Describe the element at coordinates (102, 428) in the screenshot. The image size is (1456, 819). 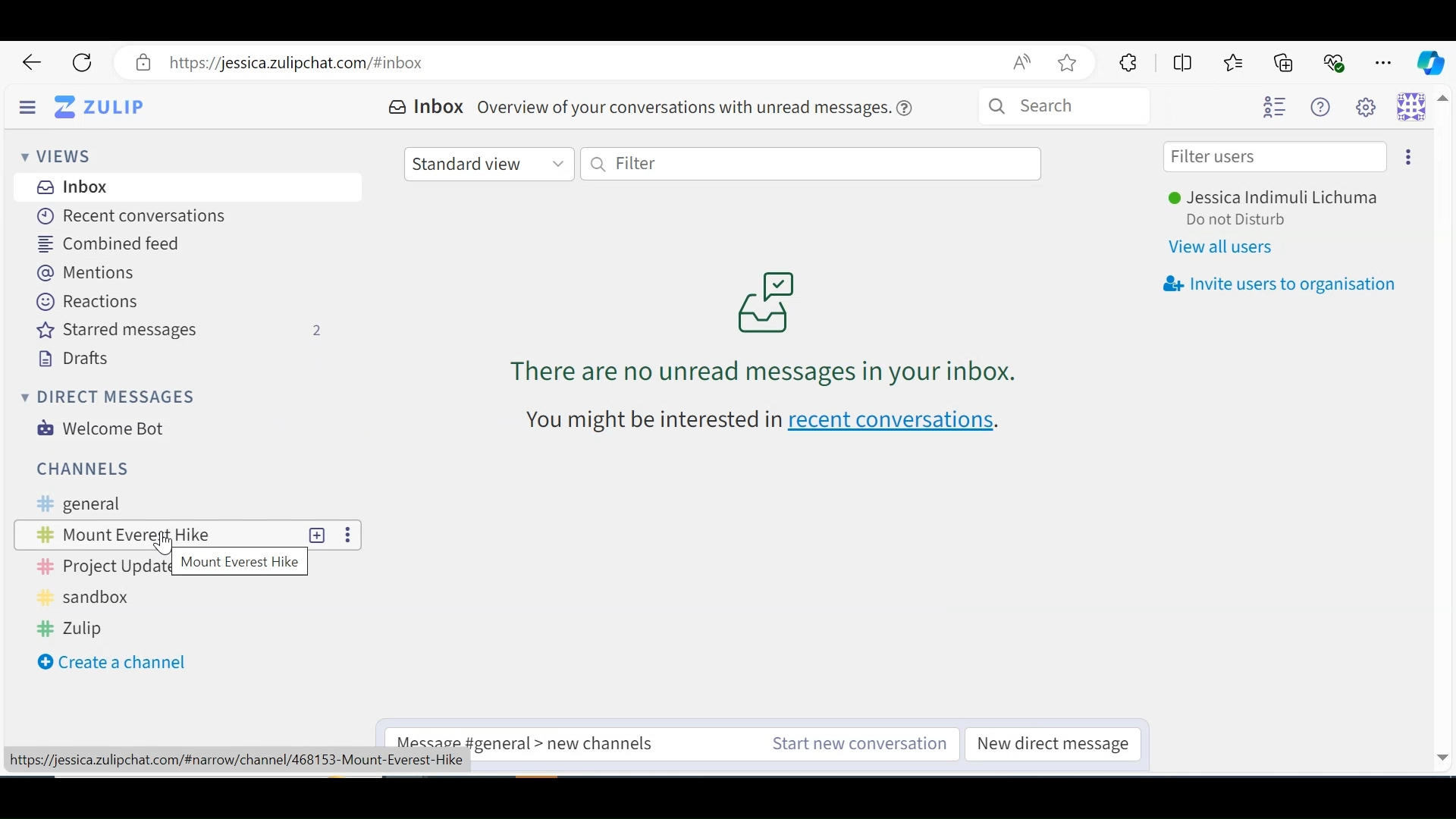
I see `Welcome Bot` at that location.